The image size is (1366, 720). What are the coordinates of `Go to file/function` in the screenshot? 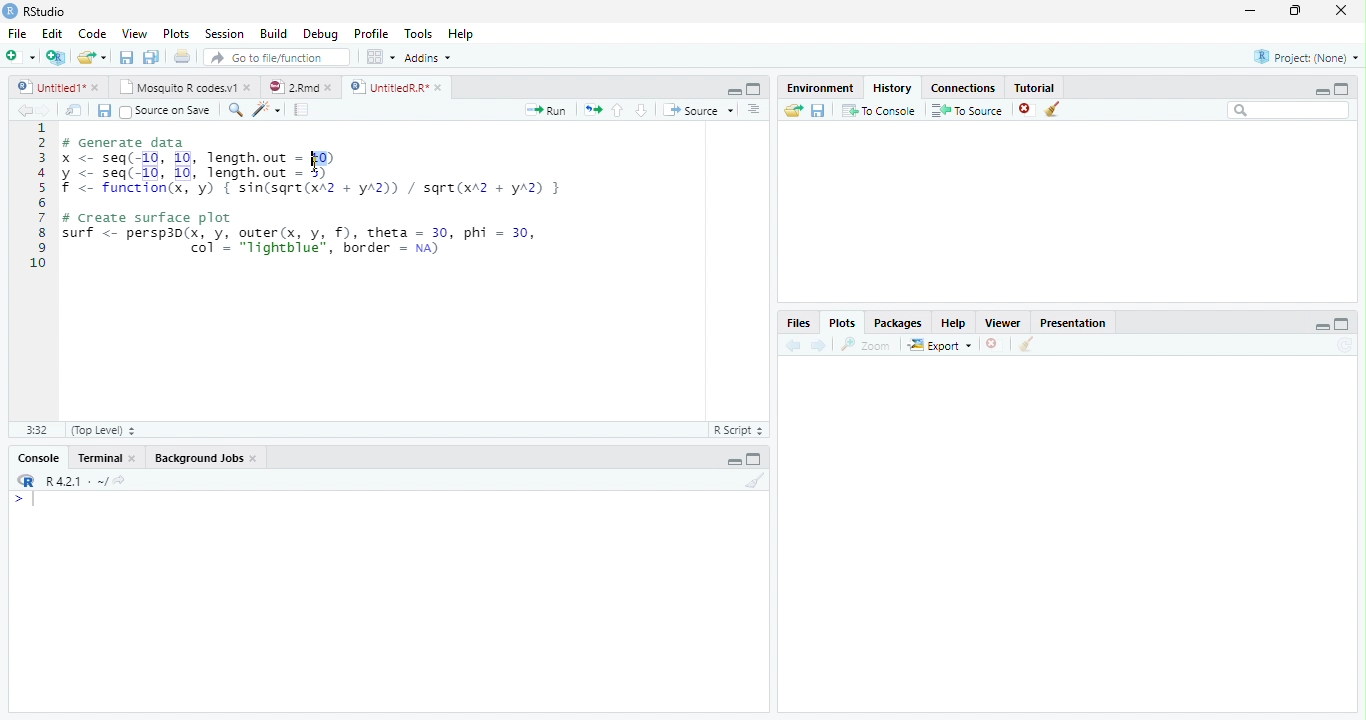 It's located at (277, 56).